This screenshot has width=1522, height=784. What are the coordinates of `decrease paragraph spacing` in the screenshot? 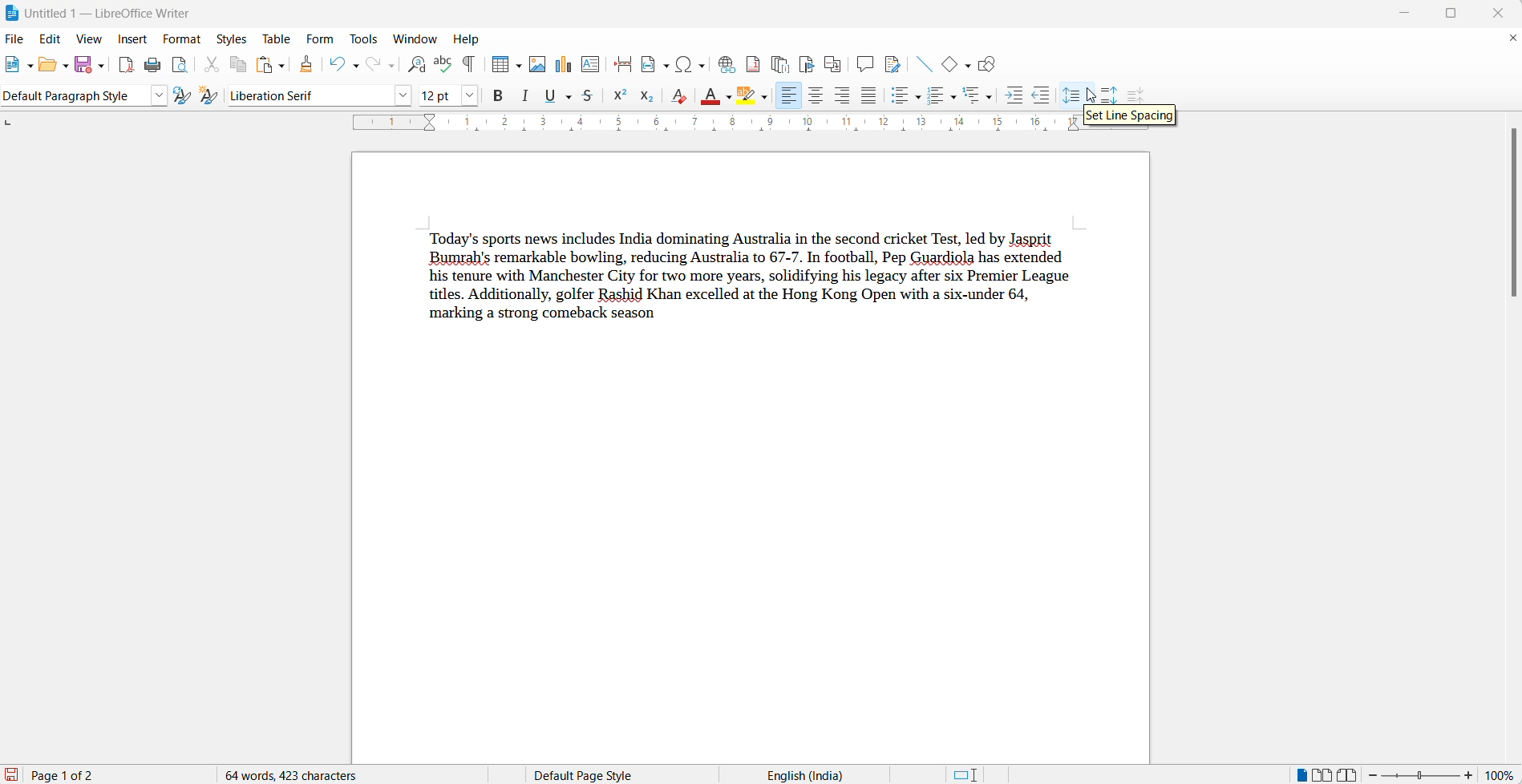 It's located at (1137, 95).